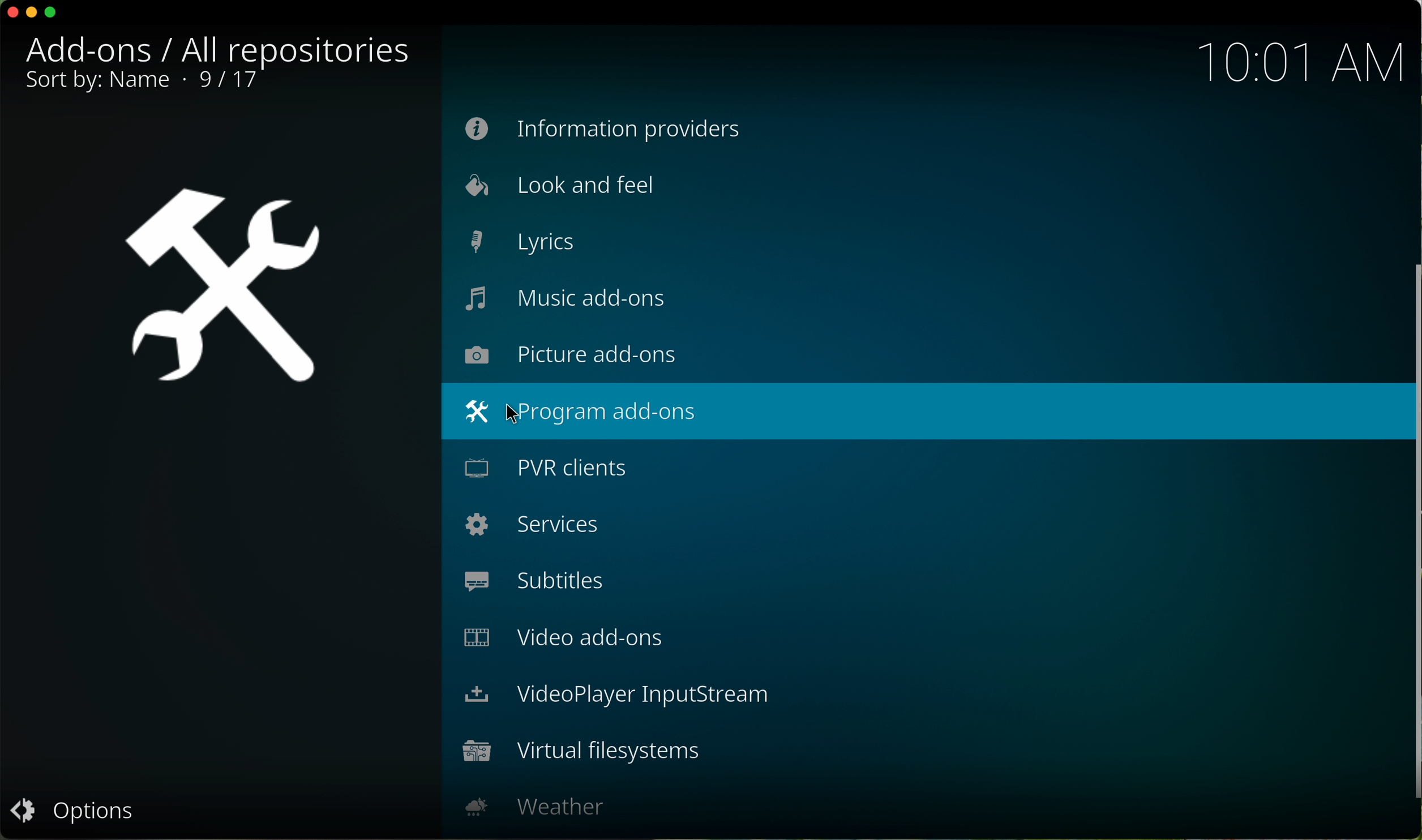 Image resolution: width=1422 pixels, height=840 pixels. Describe the element at coordinates (1301, 62) in the screenshot. I see `10:01 AM` at that location.